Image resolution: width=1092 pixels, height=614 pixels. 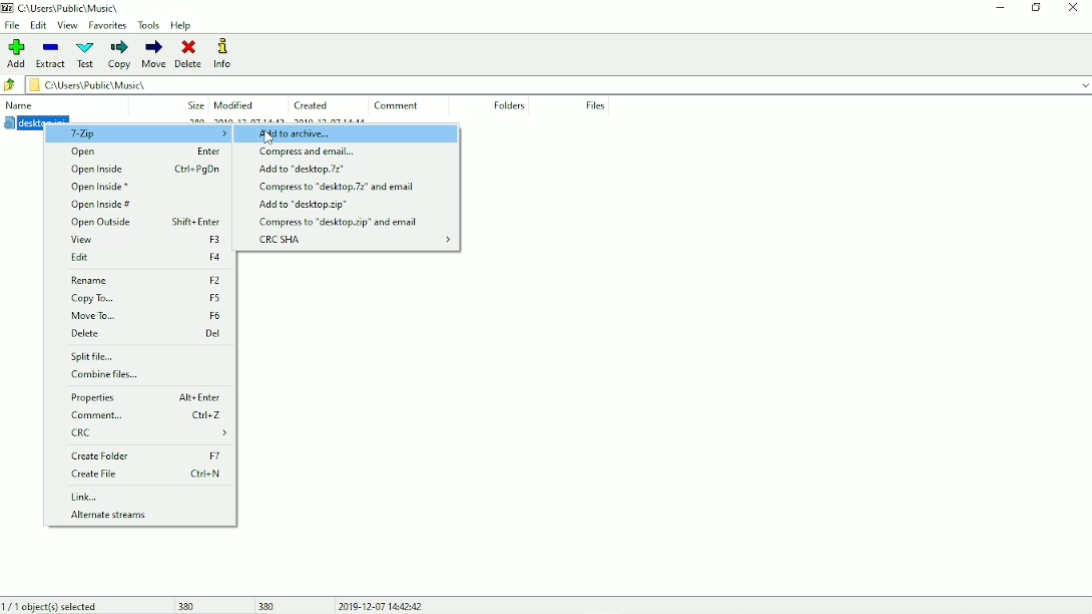 I want to click on Alternate streams, so click(x=109, y=515).